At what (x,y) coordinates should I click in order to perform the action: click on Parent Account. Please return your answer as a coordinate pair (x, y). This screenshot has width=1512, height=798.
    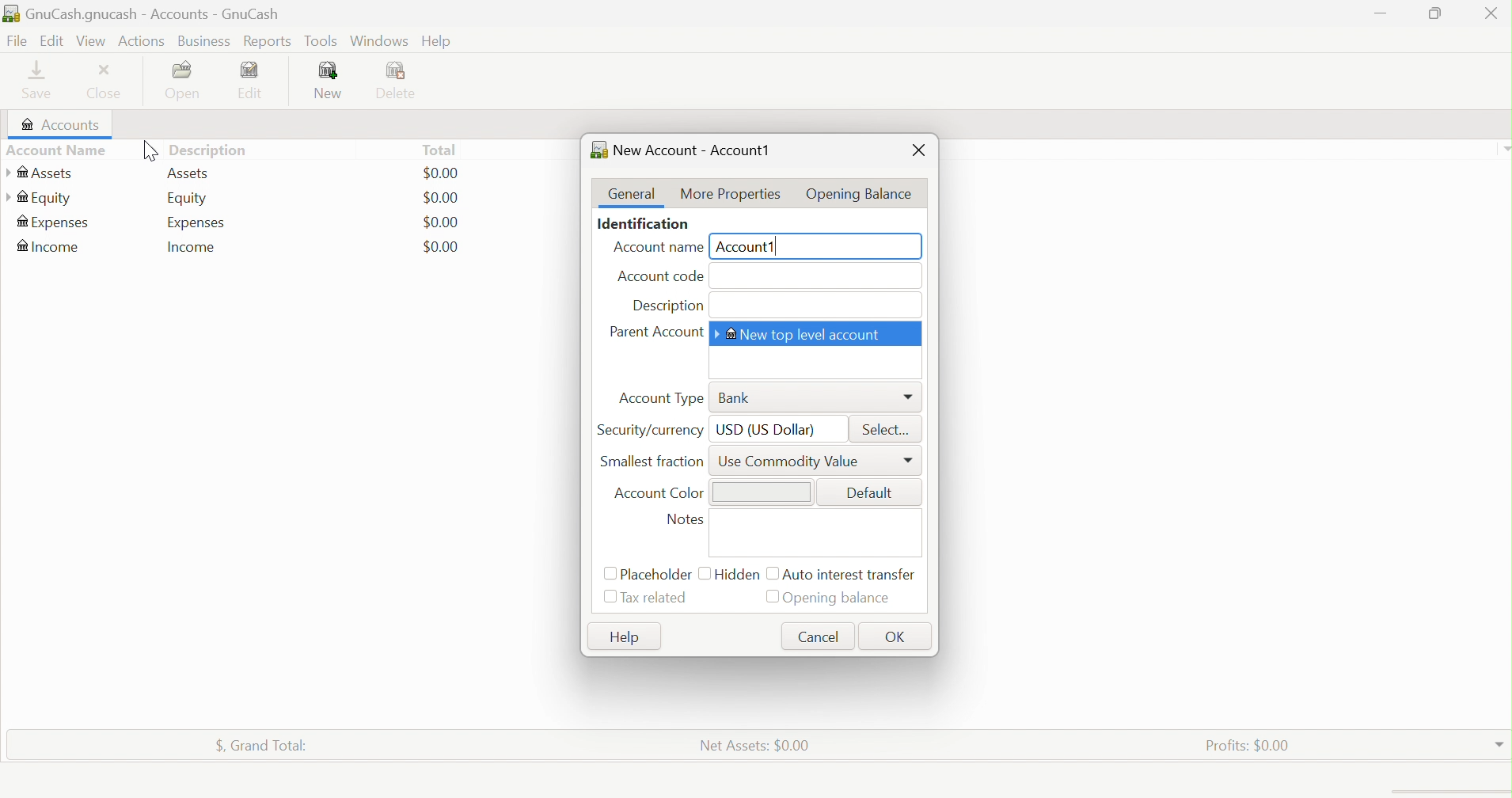
    Looking at the image, I should click on (656, 332).